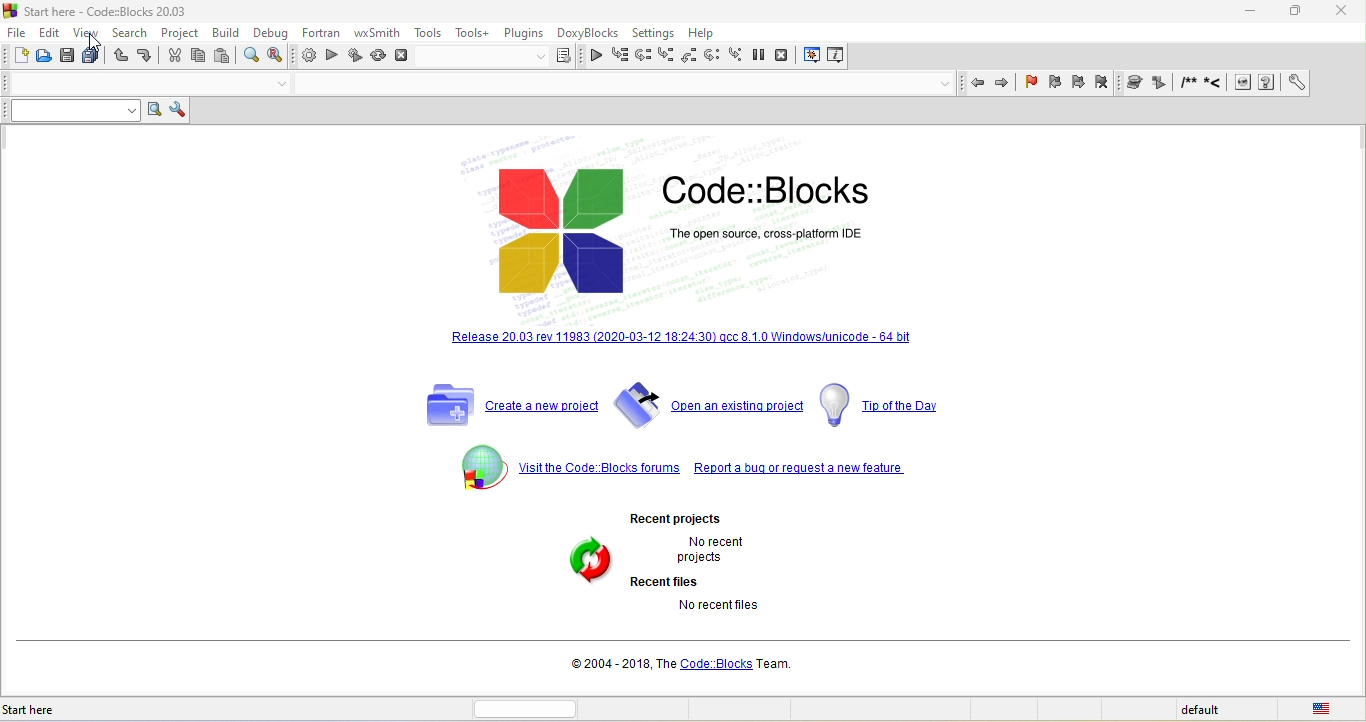  What do you see at coordinates (1332, 12) in the screenshot?
I see `close` at bounding box center [1332, 12].